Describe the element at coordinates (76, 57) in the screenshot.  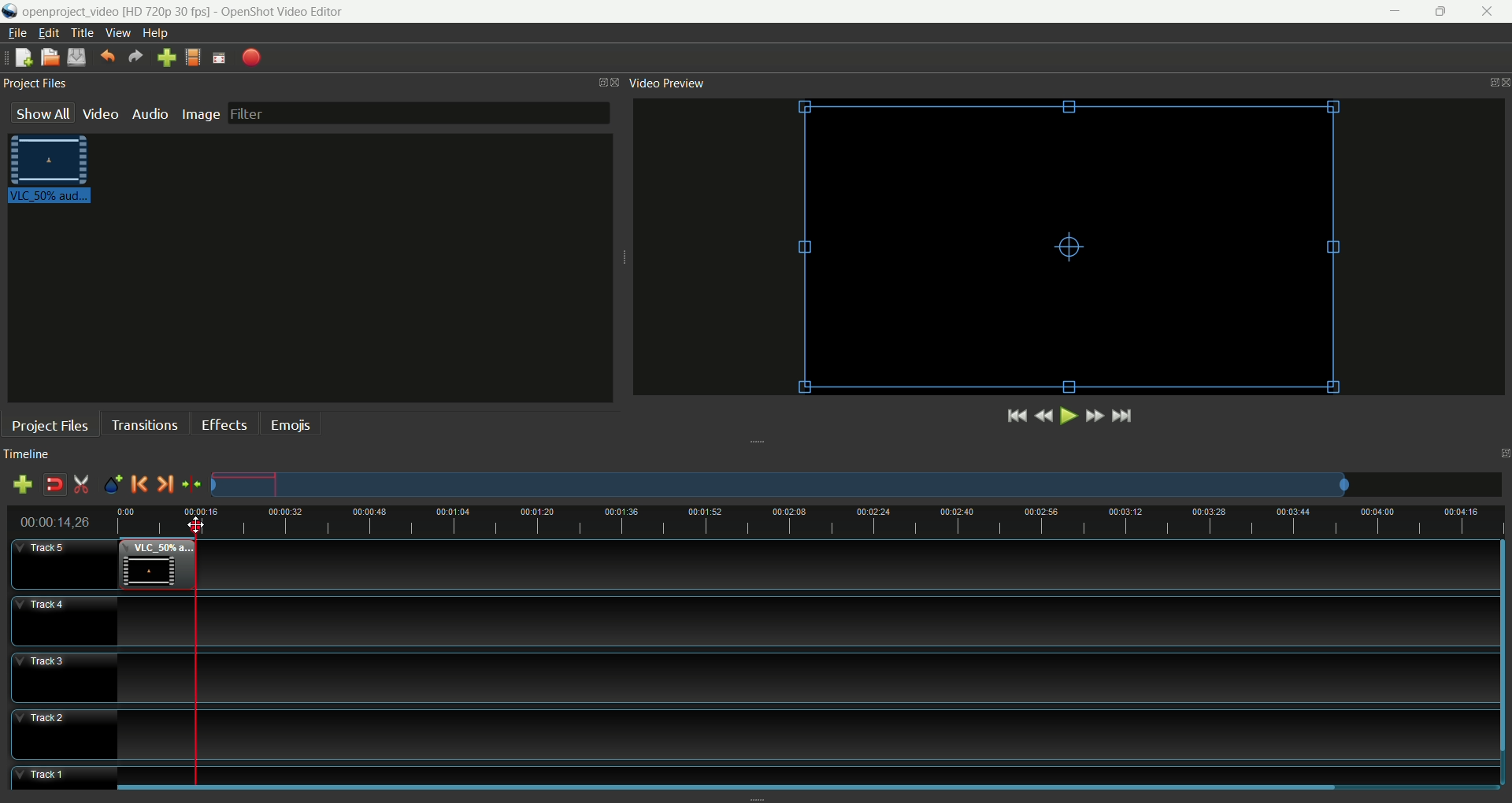
I see `save project` at that location.